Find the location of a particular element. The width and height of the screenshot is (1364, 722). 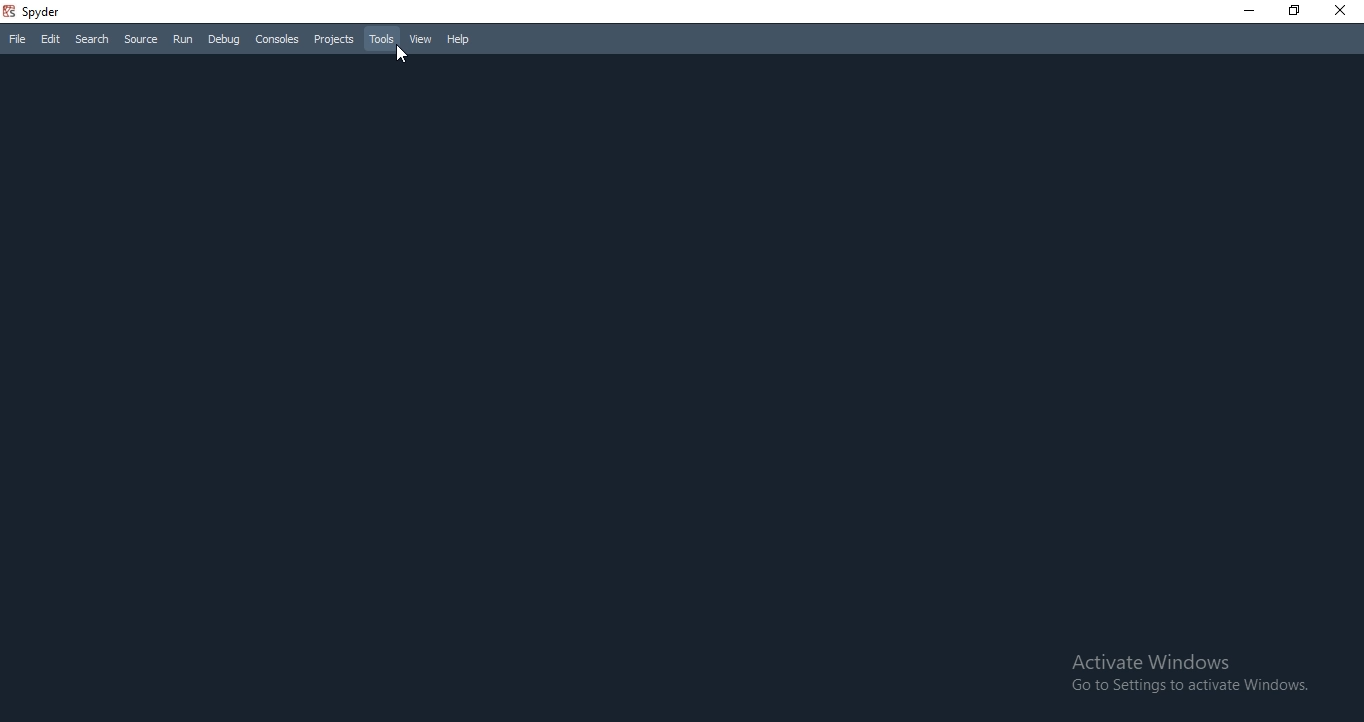

spyder is located at coordinates (36, 11).